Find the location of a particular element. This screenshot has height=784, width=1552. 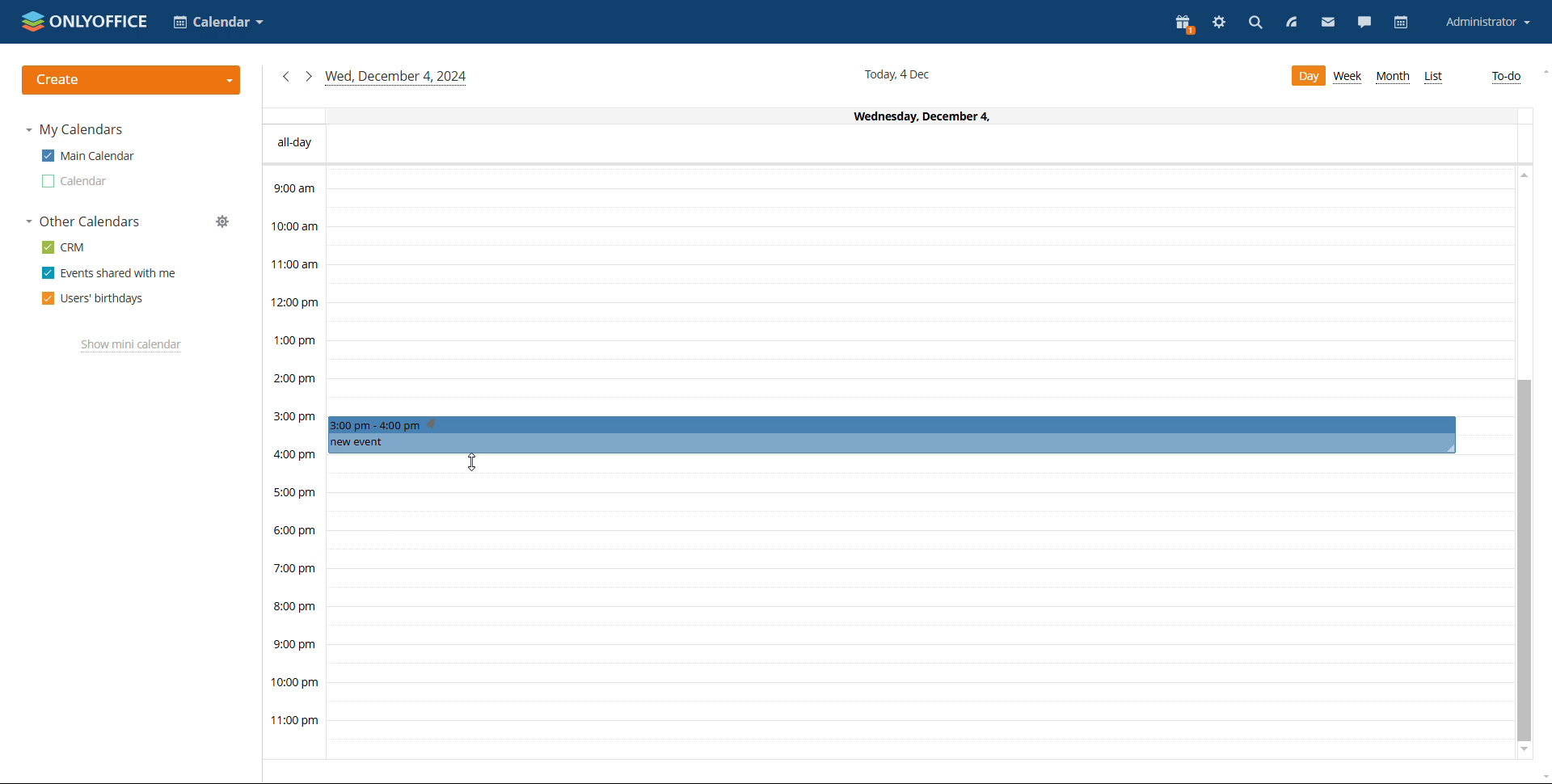

week view is located at coordinates (1349, 77).